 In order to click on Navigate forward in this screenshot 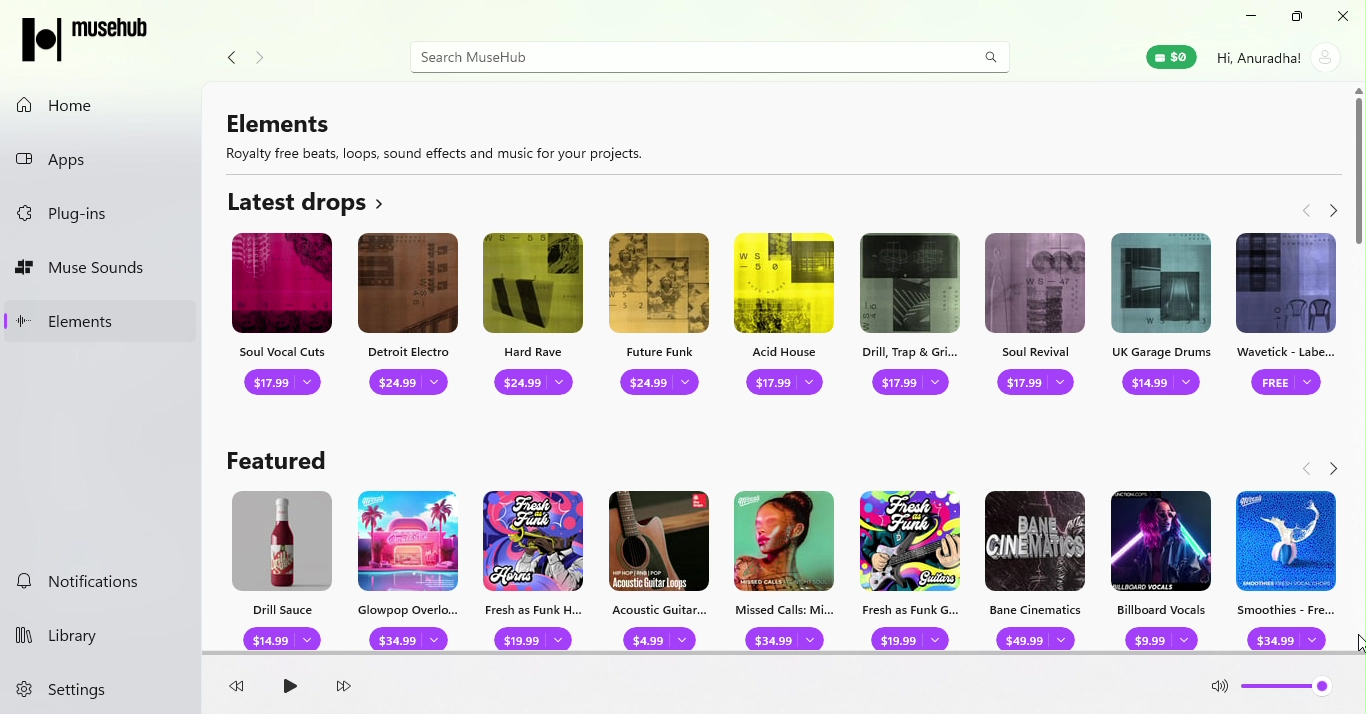, I will do `click(1330, 467)`.